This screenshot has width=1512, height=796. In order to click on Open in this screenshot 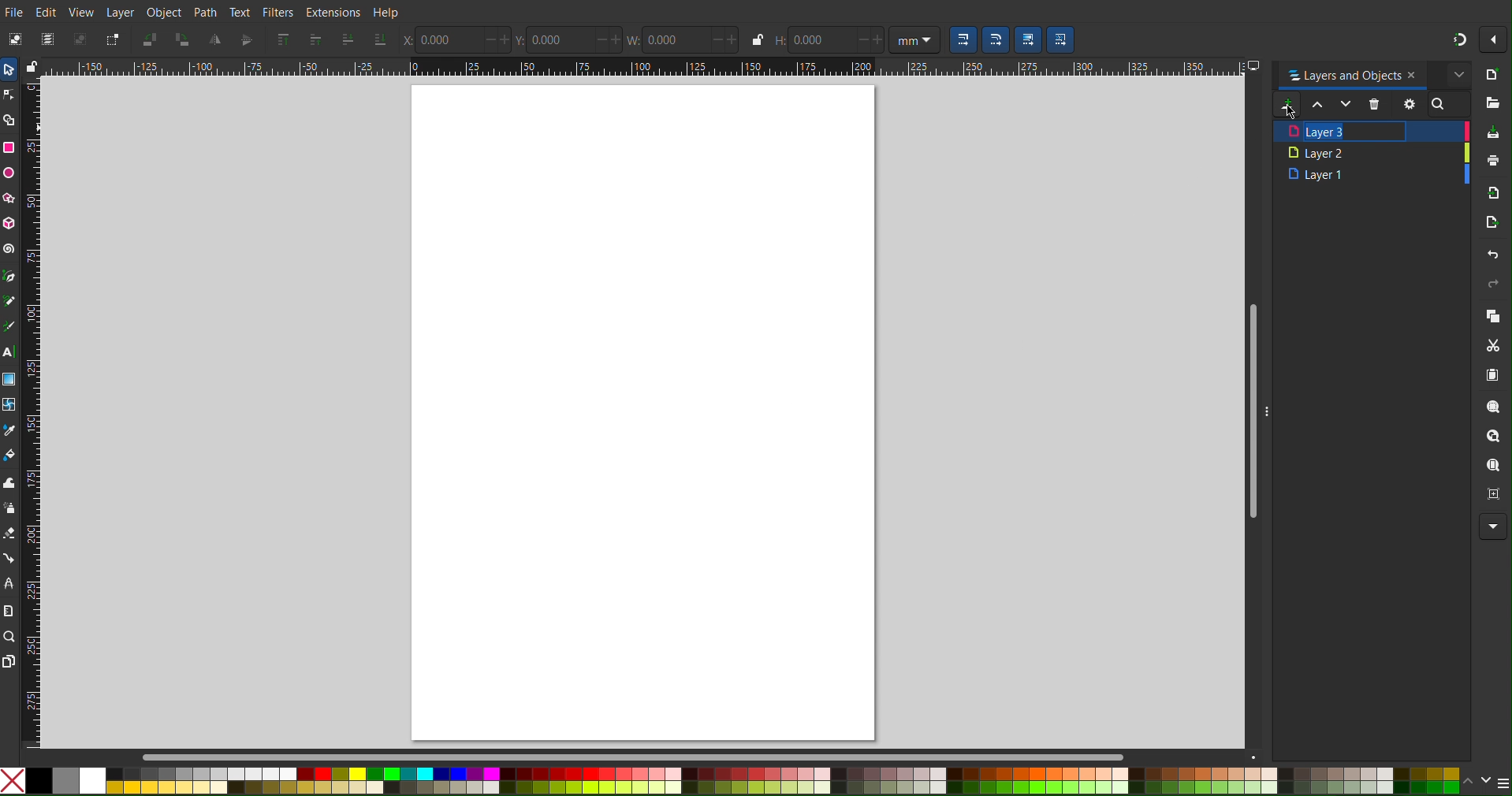, I will do `click(1492, 105)`.